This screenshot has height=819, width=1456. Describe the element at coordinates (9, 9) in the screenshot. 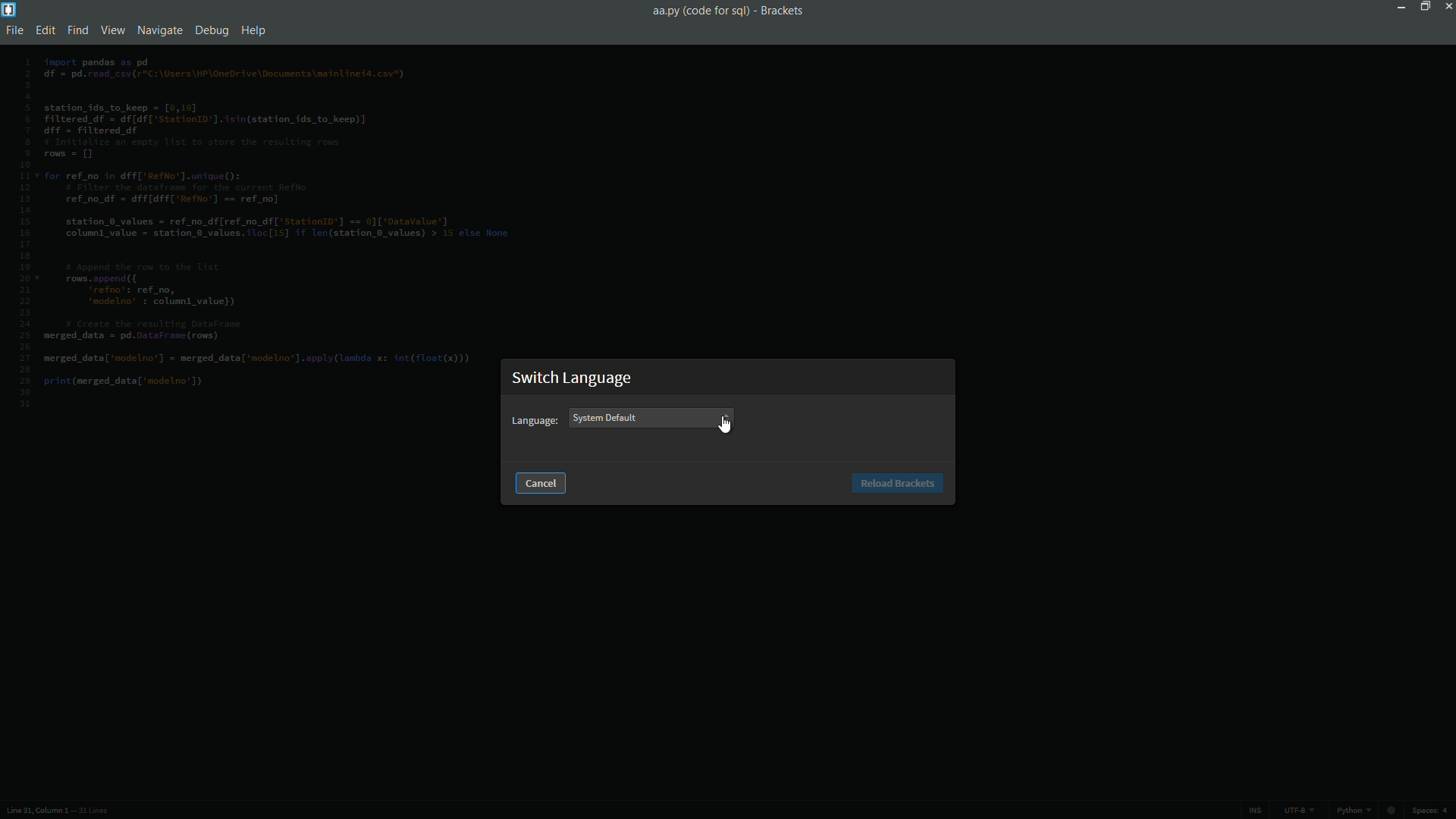

I see `app icon` at that location.